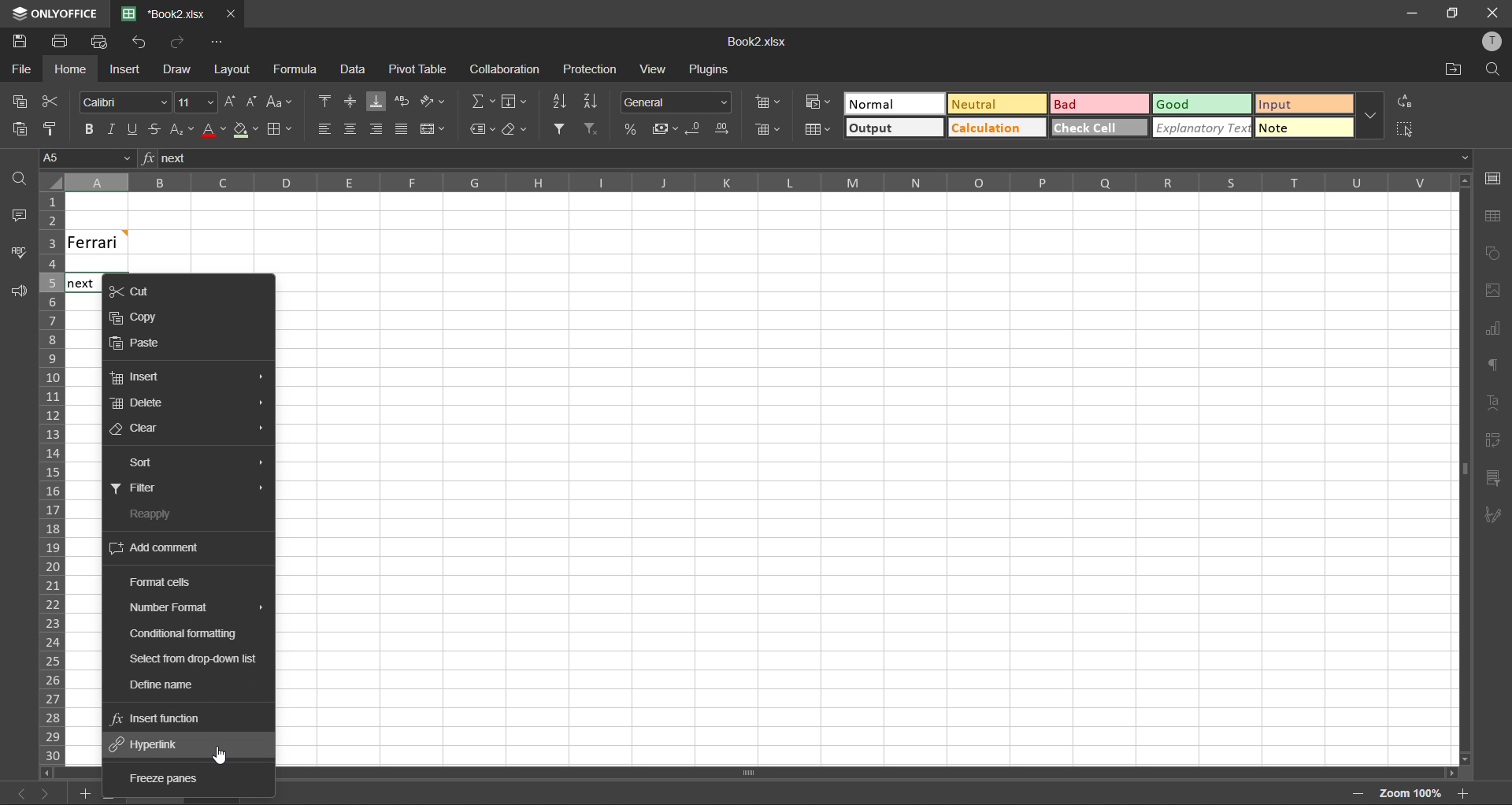  Describe the element at coordinates (109, 129) in the screenshot. I see `italic` at that location.